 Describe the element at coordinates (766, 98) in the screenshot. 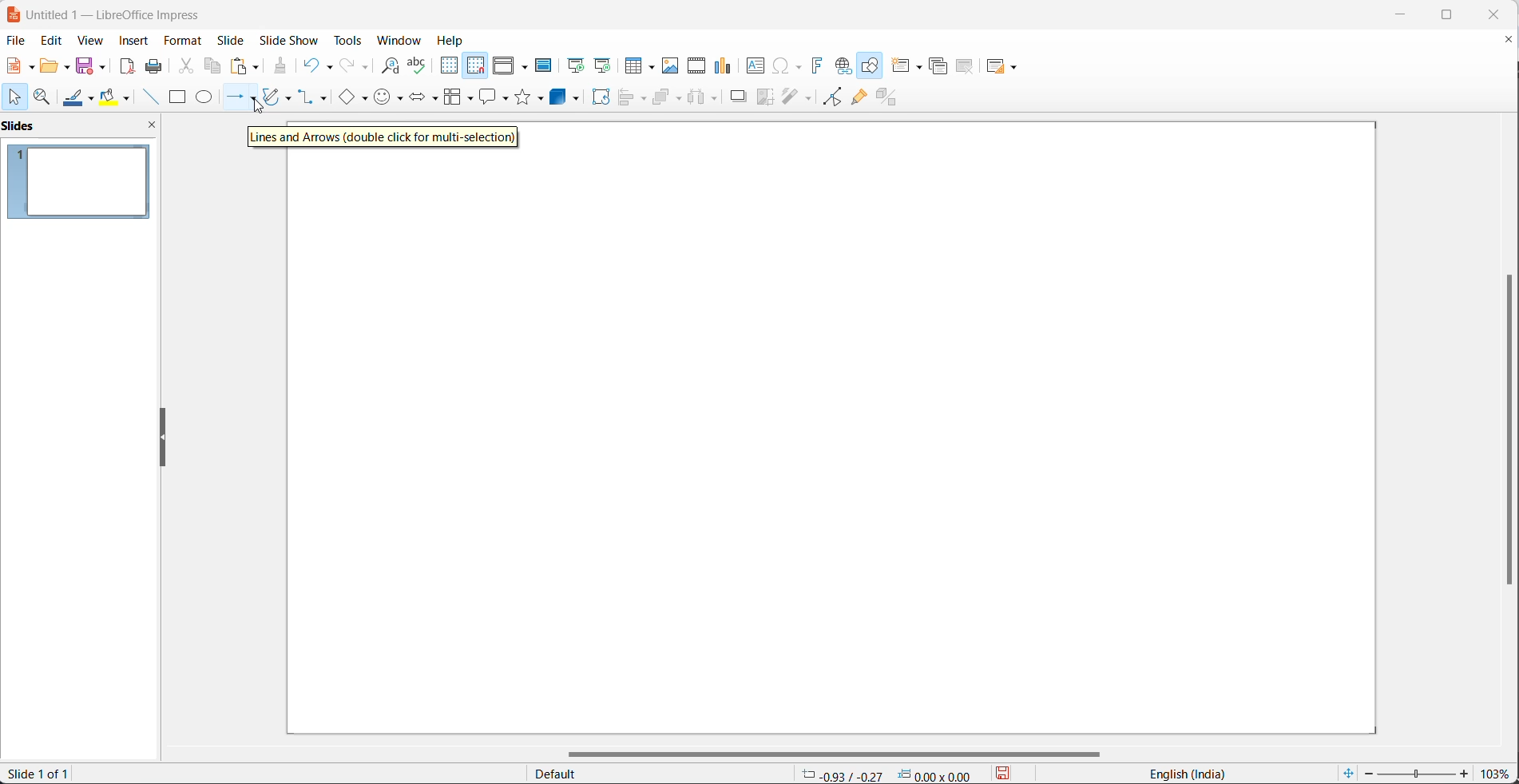

I see `crop image` at that location.